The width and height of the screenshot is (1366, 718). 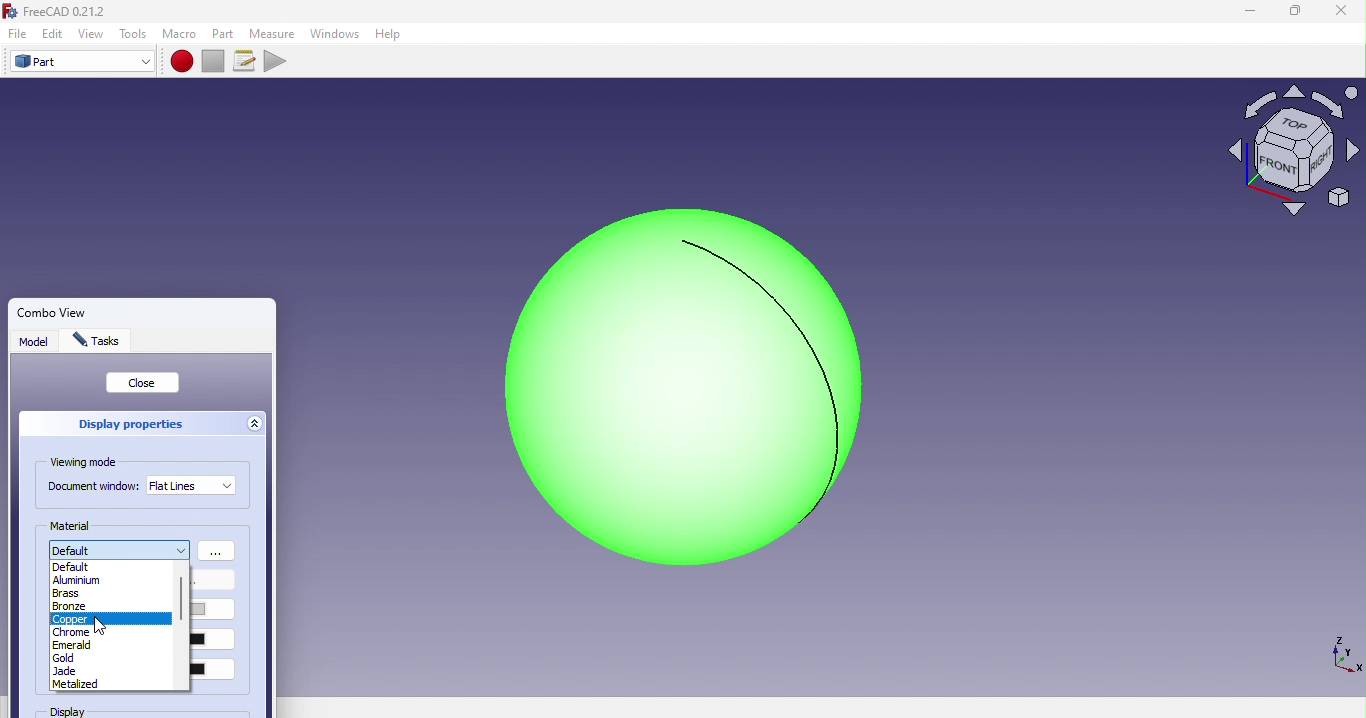 What do you see at coordinates (180, 627) in the screenshot?
I see `Scroll bar` at bounding box center [180, 627].